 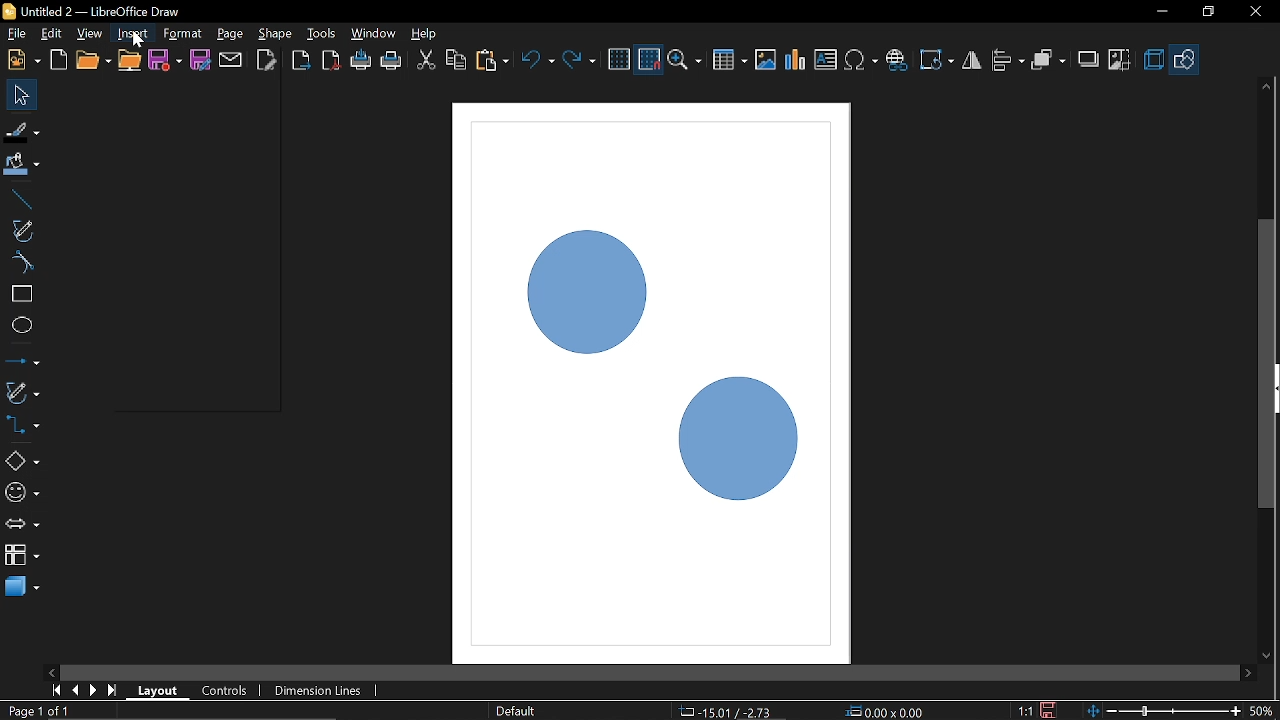 What do you see at coordinates (22, 496) in the screenshot?
I see `symbol shapes` at bounding box center [22, 496].